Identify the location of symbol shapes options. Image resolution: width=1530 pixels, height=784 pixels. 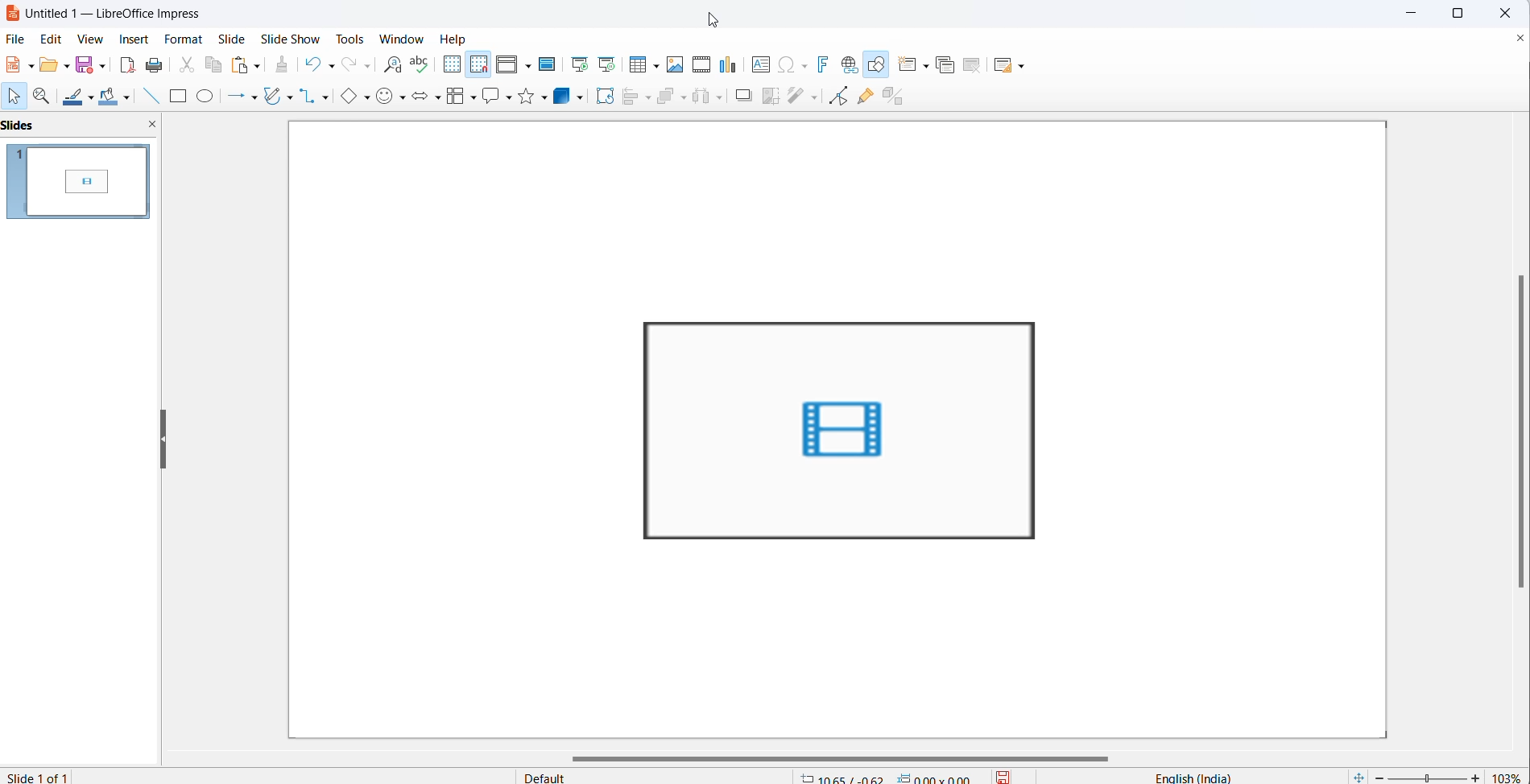
(402, 98).